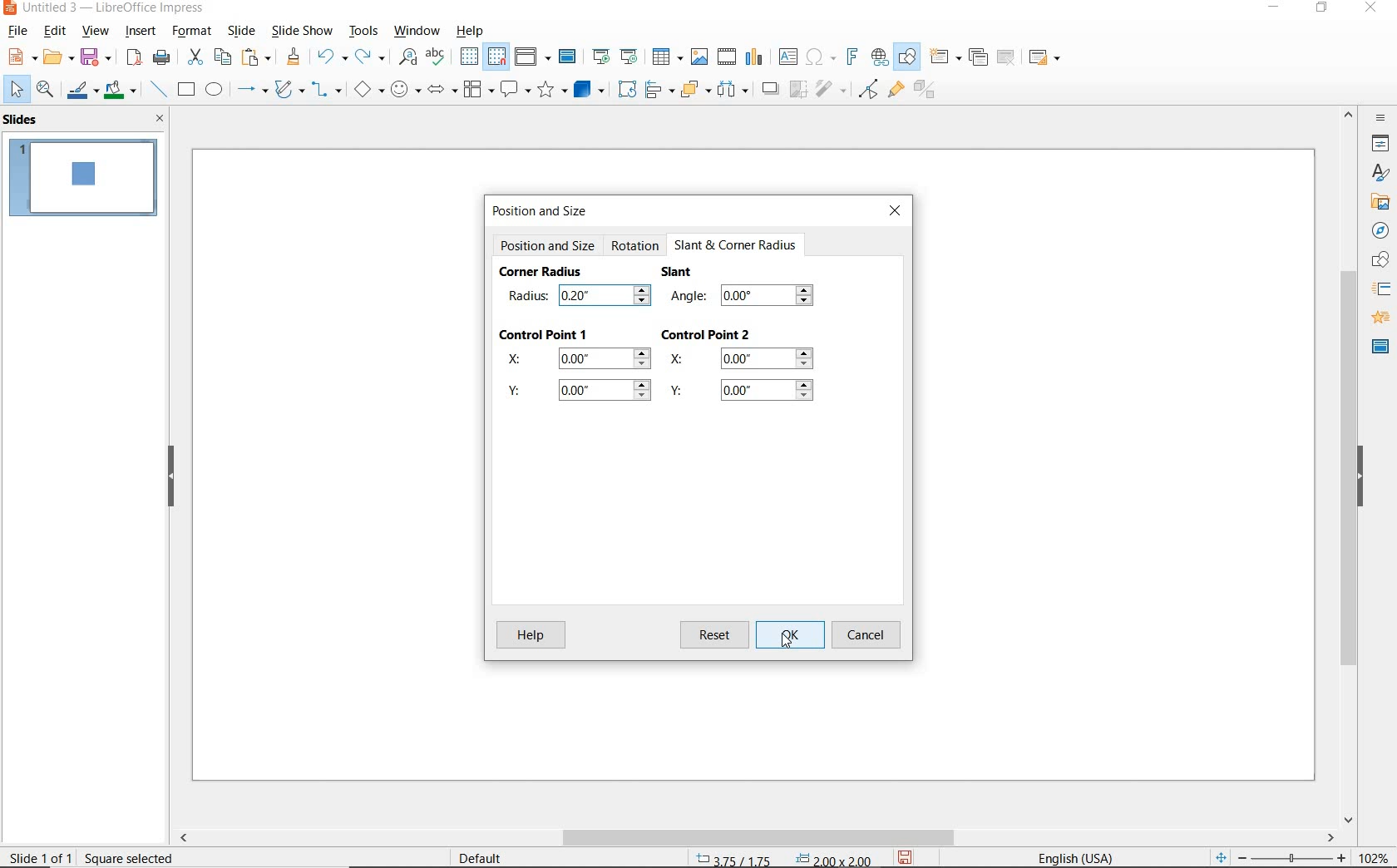 Image resolution: width=1397 pixels, height=868 pixels. What do you see at coordinates (575, 360) in the screenshot?
I see `X` at bounding box center [575, 360].